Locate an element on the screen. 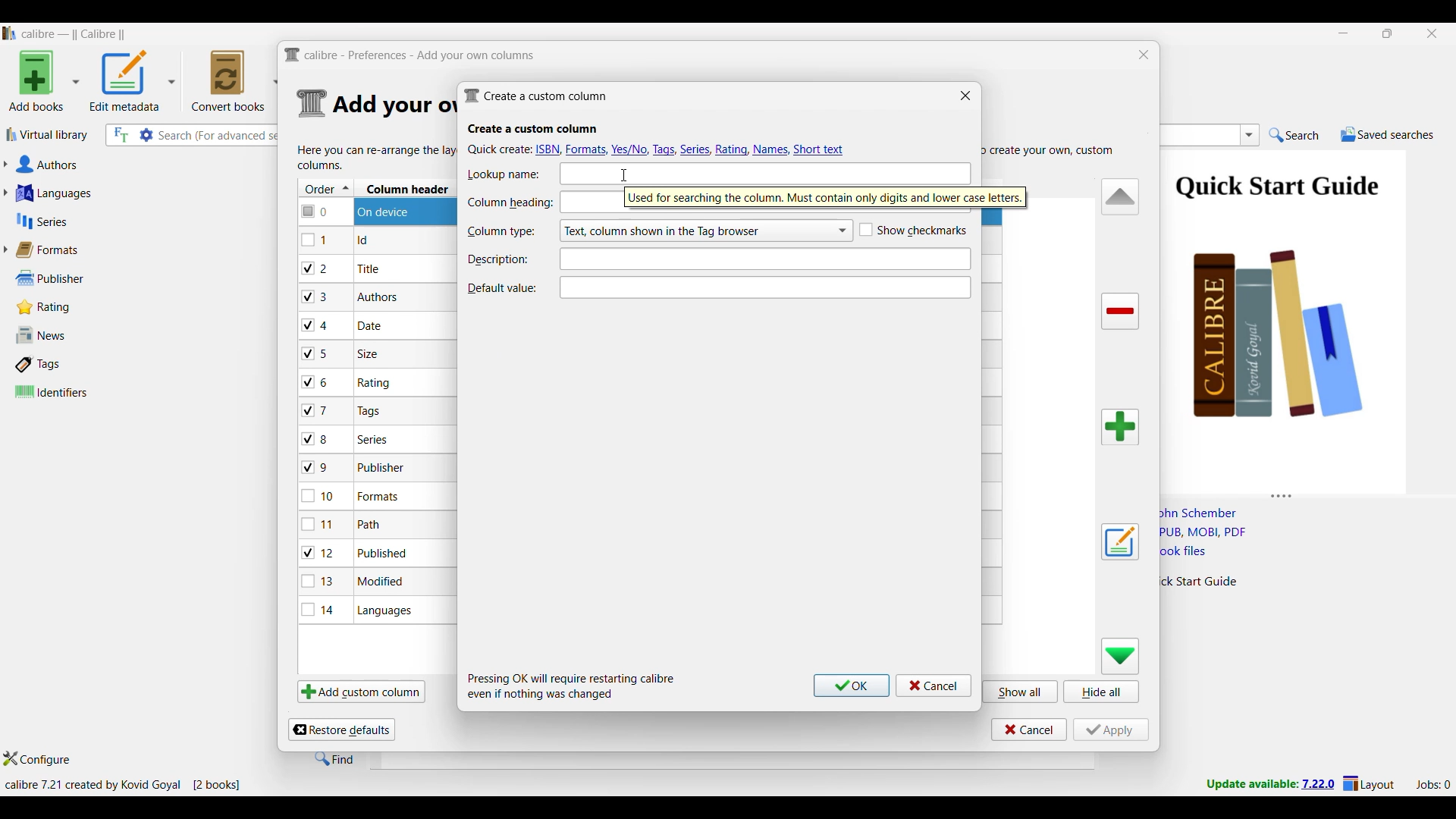 The width and height of the screenshot is (1456, 819). checkbox - 2 is located at coordinates (315, 268).